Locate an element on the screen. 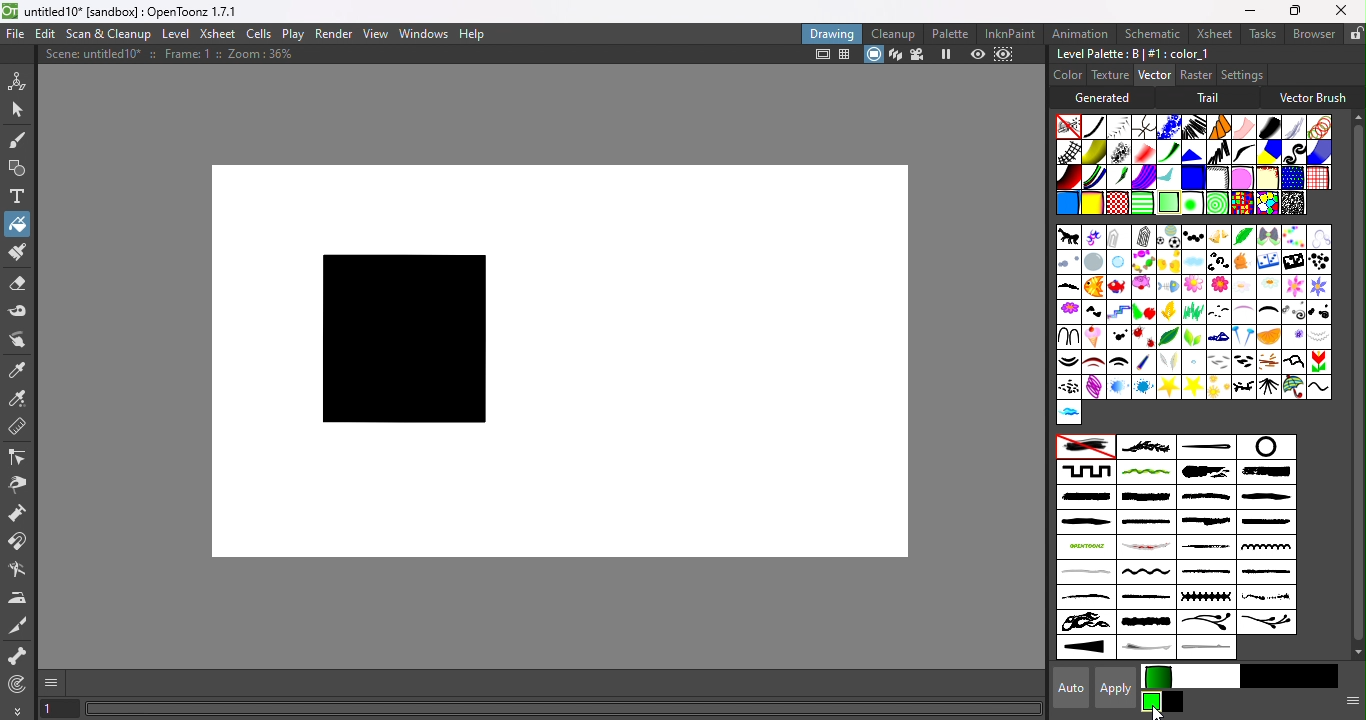 The image size is (1366, 720). Buttonhole is located at coordinates (1206, 447).